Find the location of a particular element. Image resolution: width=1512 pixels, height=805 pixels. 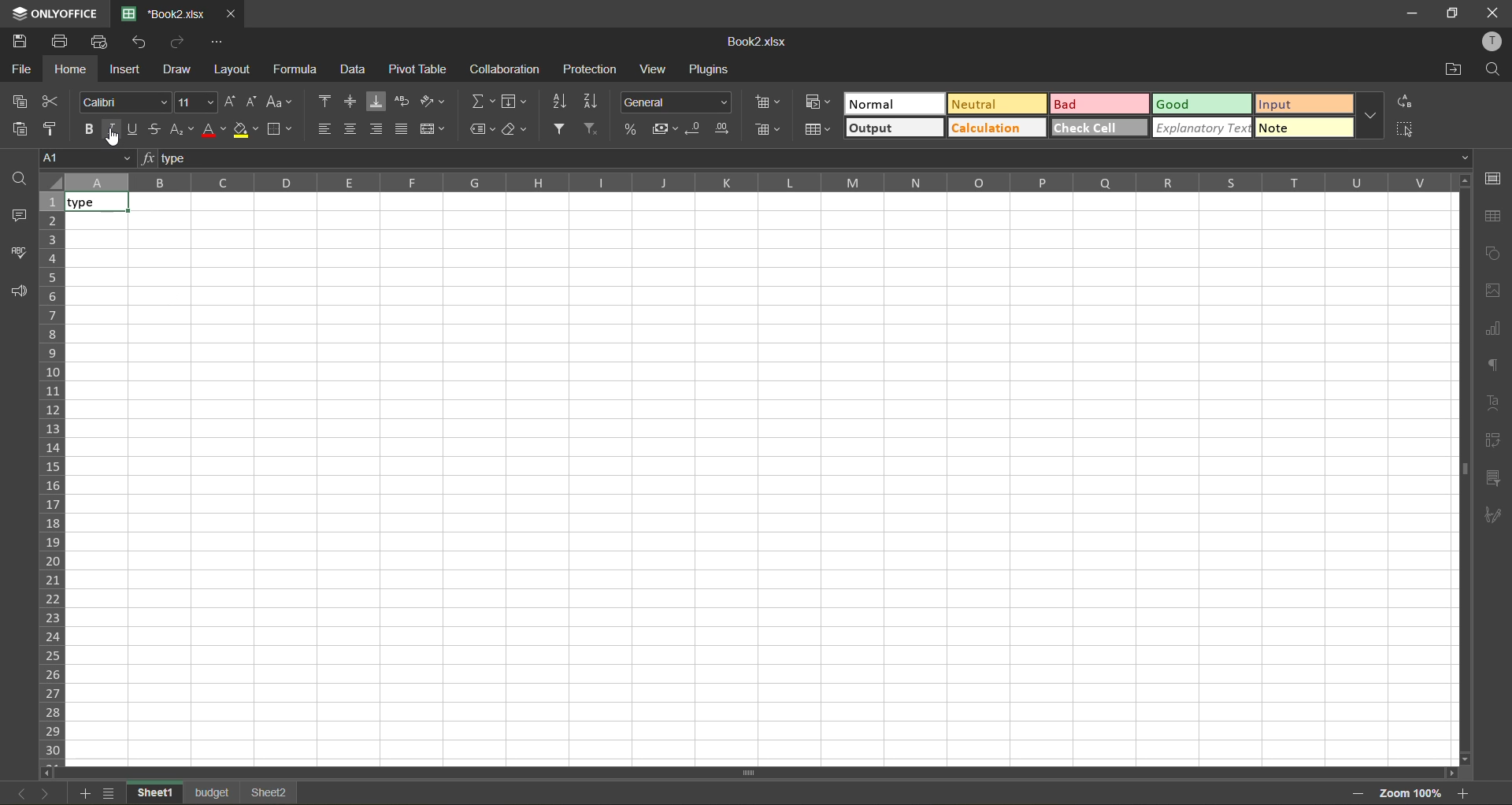

sheet list is located at coordinates (111, 793).